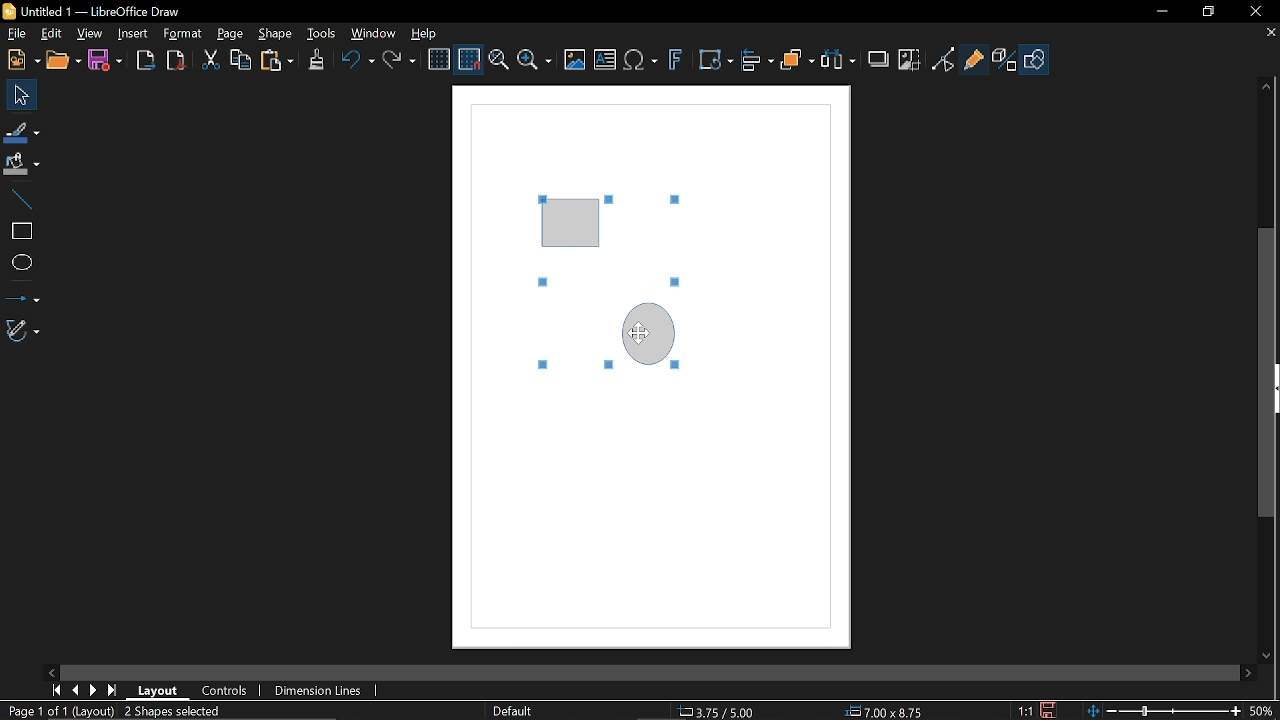 The image size is (1280, 720). Describe the element at coordinates (1034, 59) in the screenshot. I see `Shapes` at that location.